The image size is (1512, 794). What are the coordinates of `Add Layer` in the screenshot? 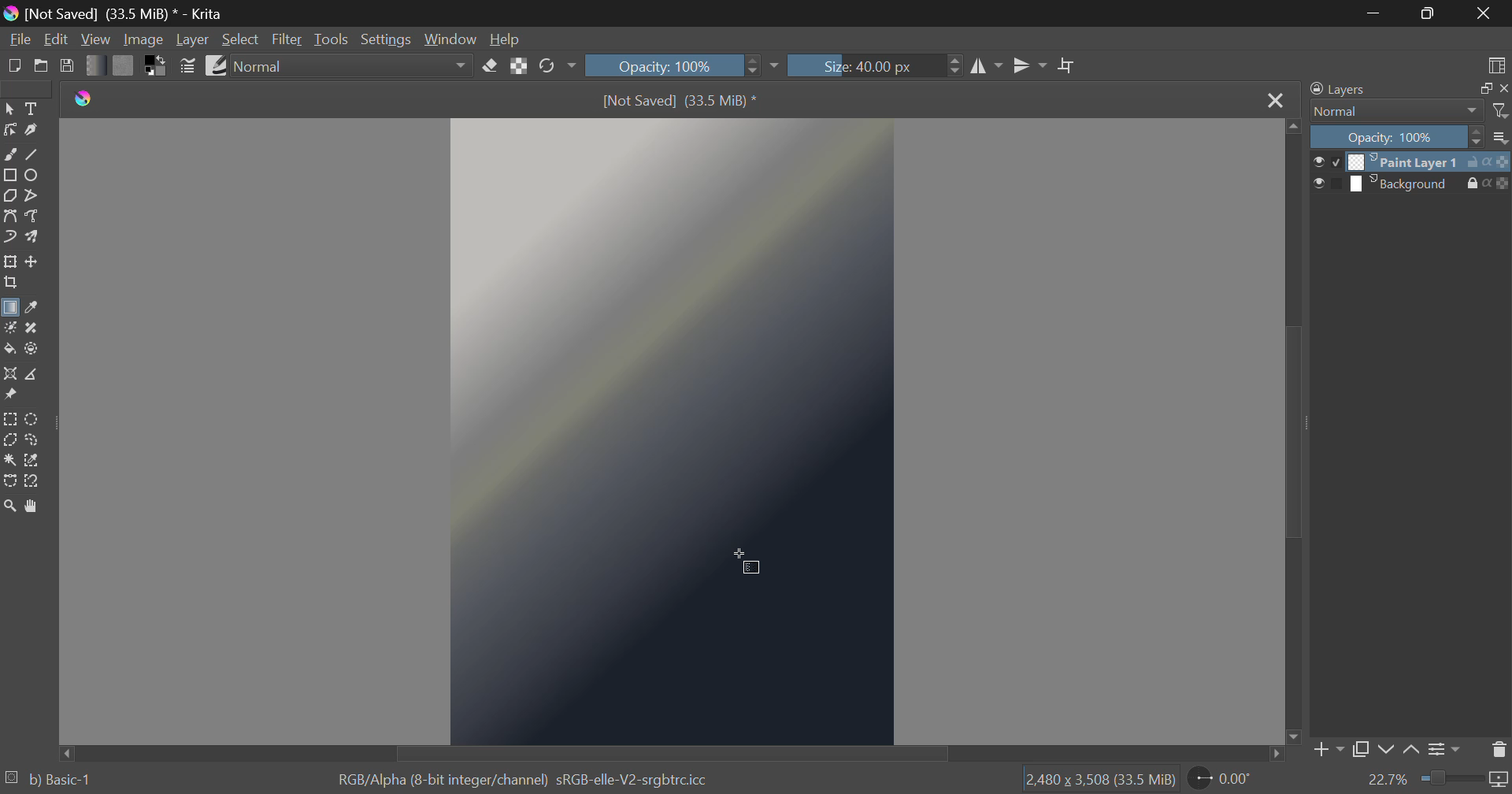 It's located at (1327, 753).